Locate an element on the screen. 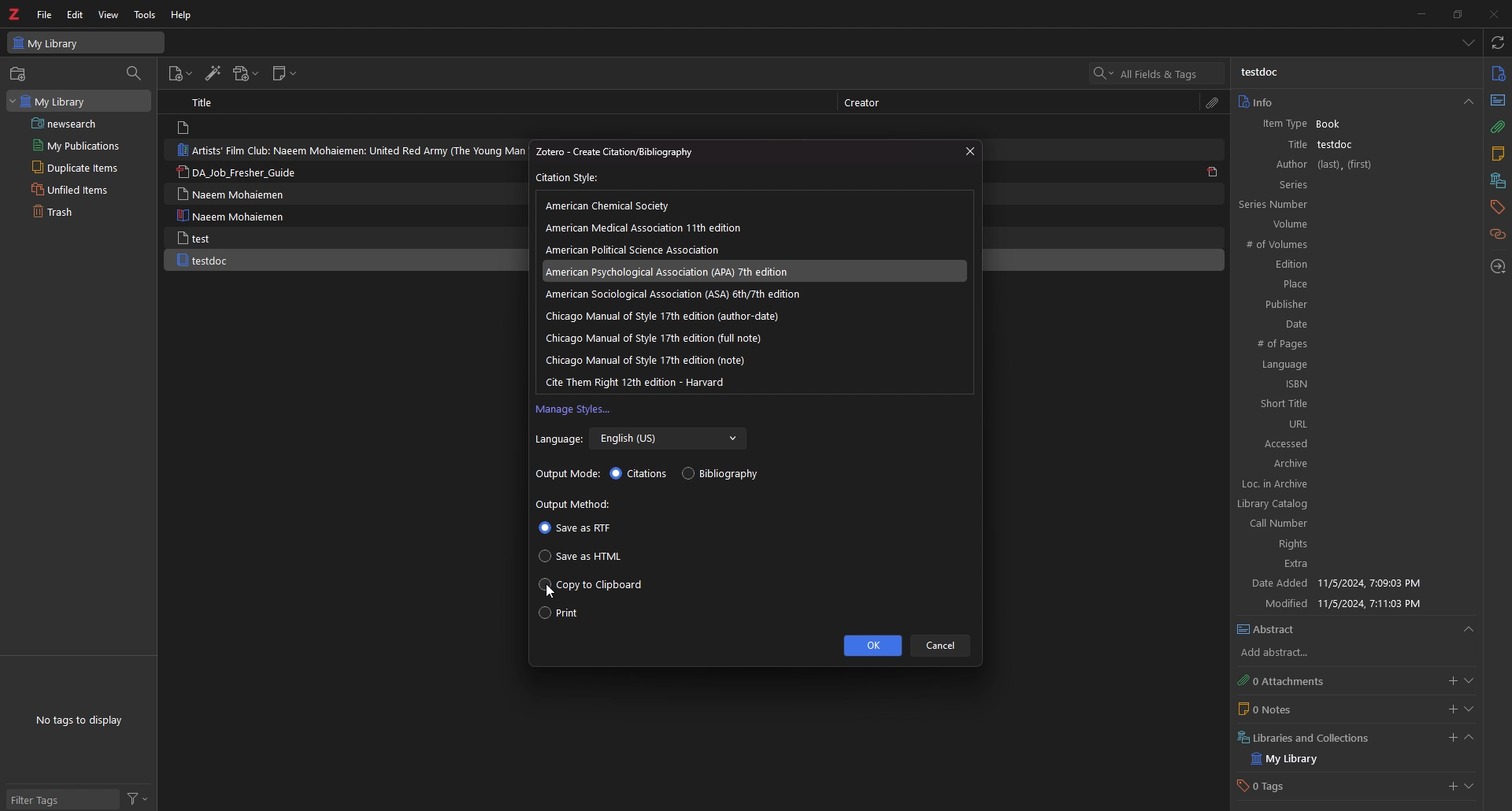 The width and height of the screenshot is (1512, 811). chicago manual of style 17th edition author-date is located at coordinates (661, 316).